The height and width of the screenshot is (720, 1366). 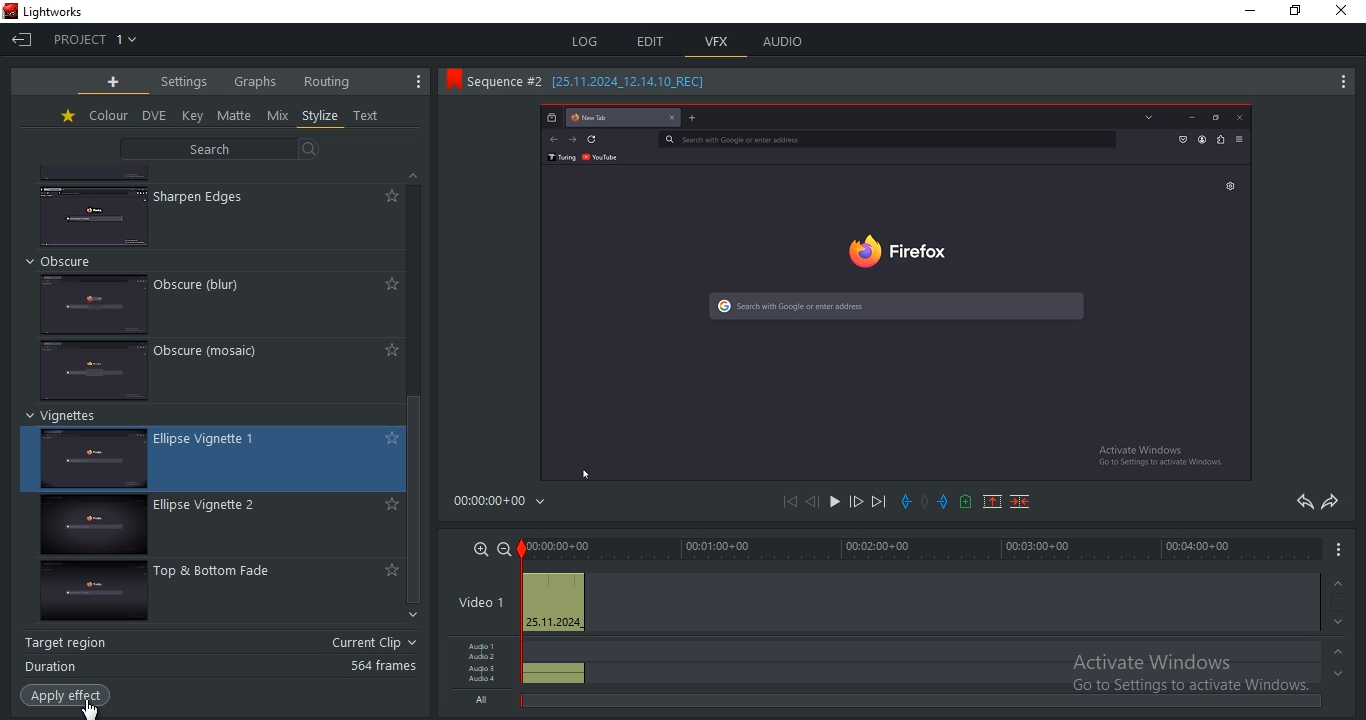 I want to click on undo, so click(x=1299, y=503).